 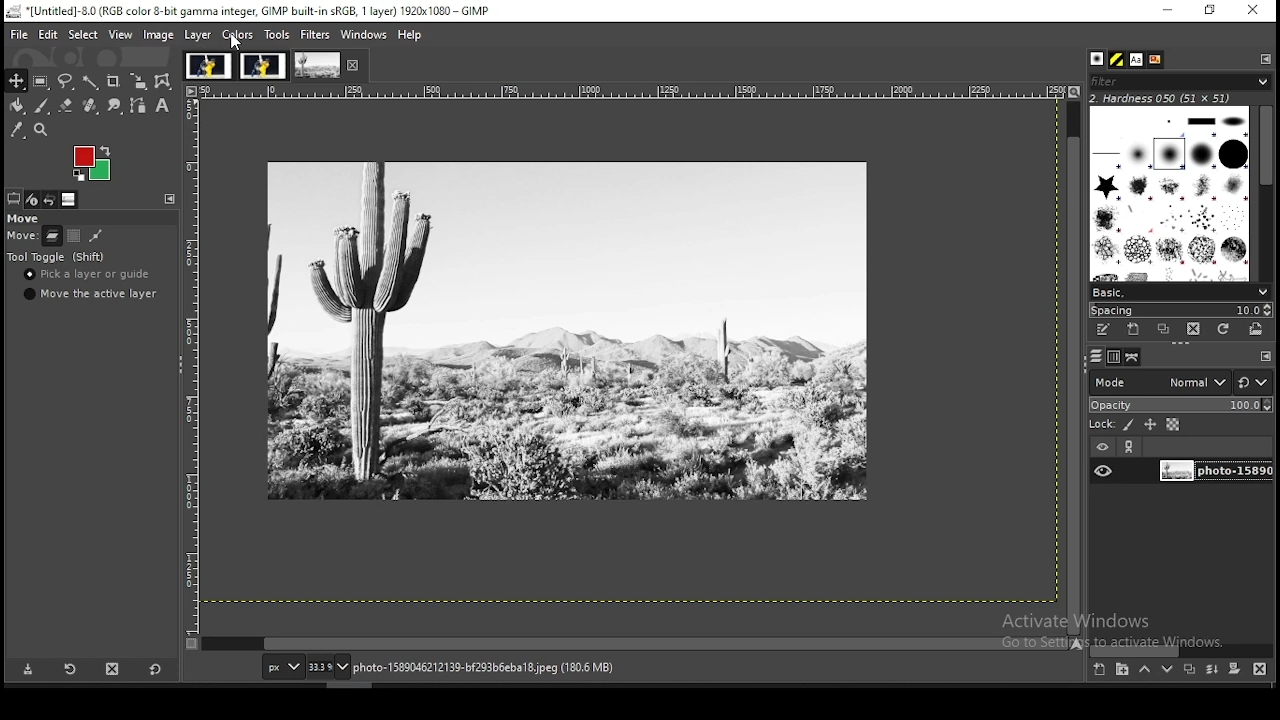 What do you see at coordinates (1101, 671) in the screenshot?
I see `new layer` at bounding box center [1101, 671].